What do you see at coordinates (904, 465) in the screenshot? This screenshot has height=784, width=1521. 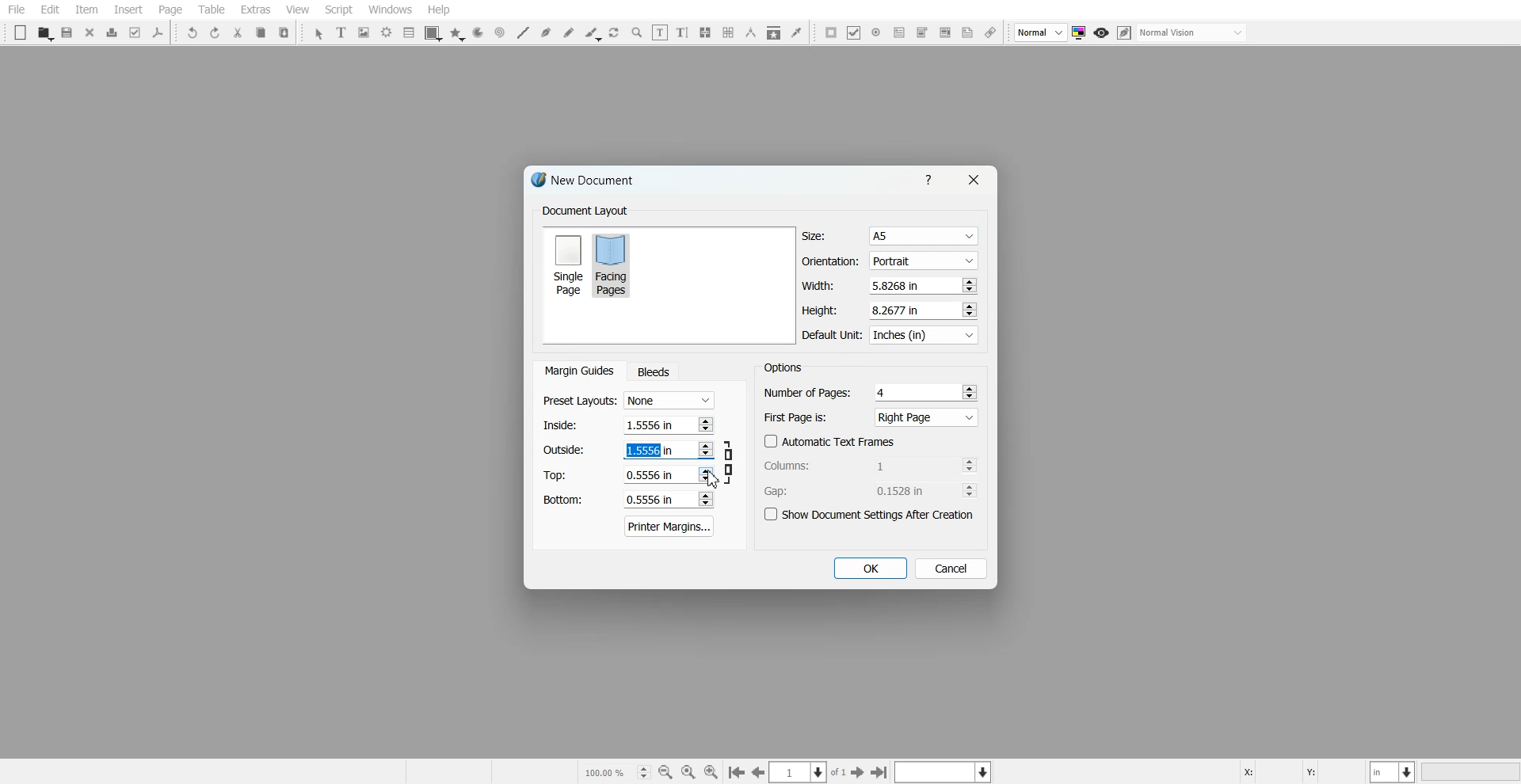 I see `1` at bounding box center [904, 465].